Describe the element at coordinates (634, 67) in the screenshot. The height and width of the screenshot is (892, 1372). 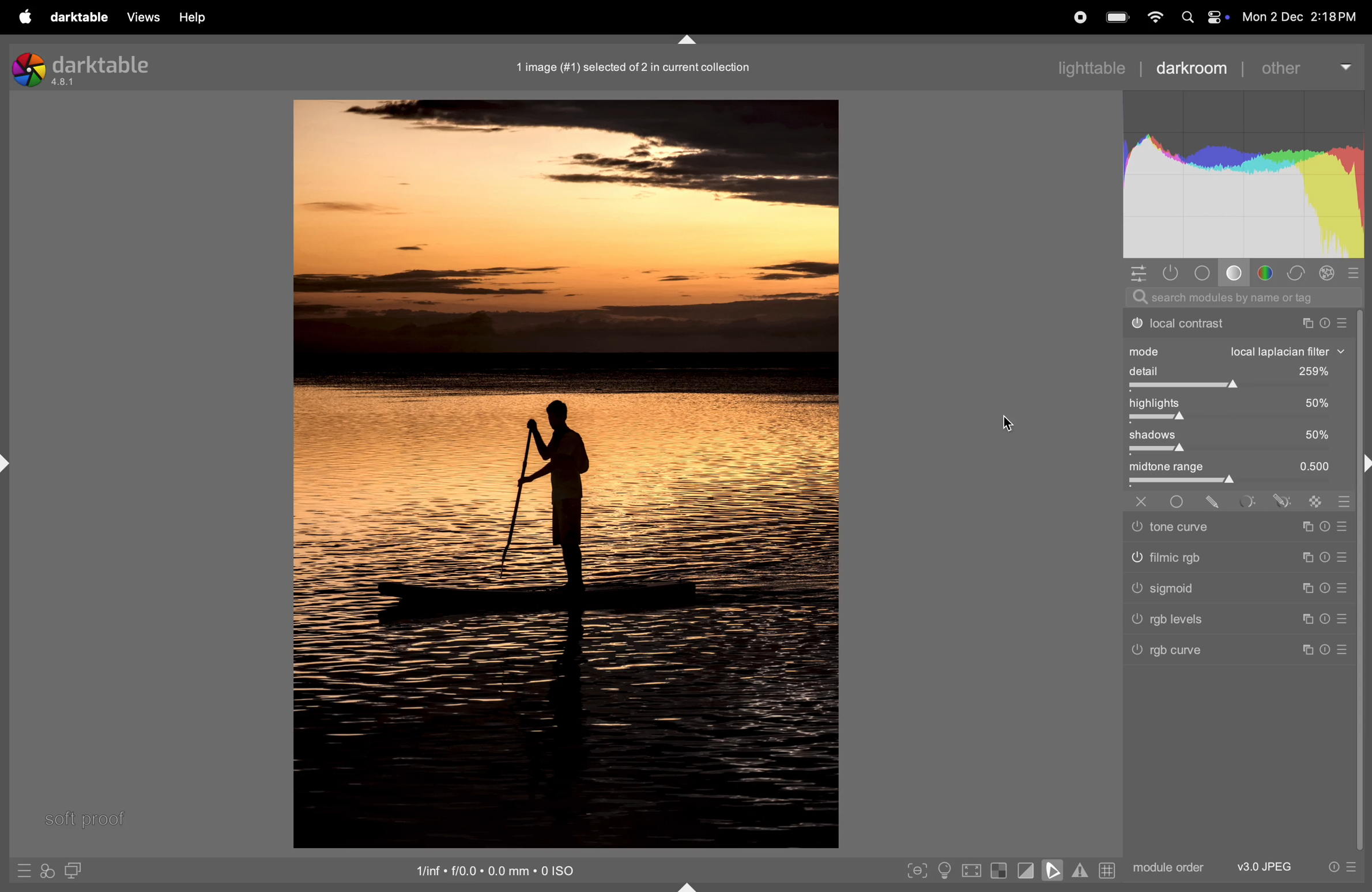
I see `image collection` at that location.